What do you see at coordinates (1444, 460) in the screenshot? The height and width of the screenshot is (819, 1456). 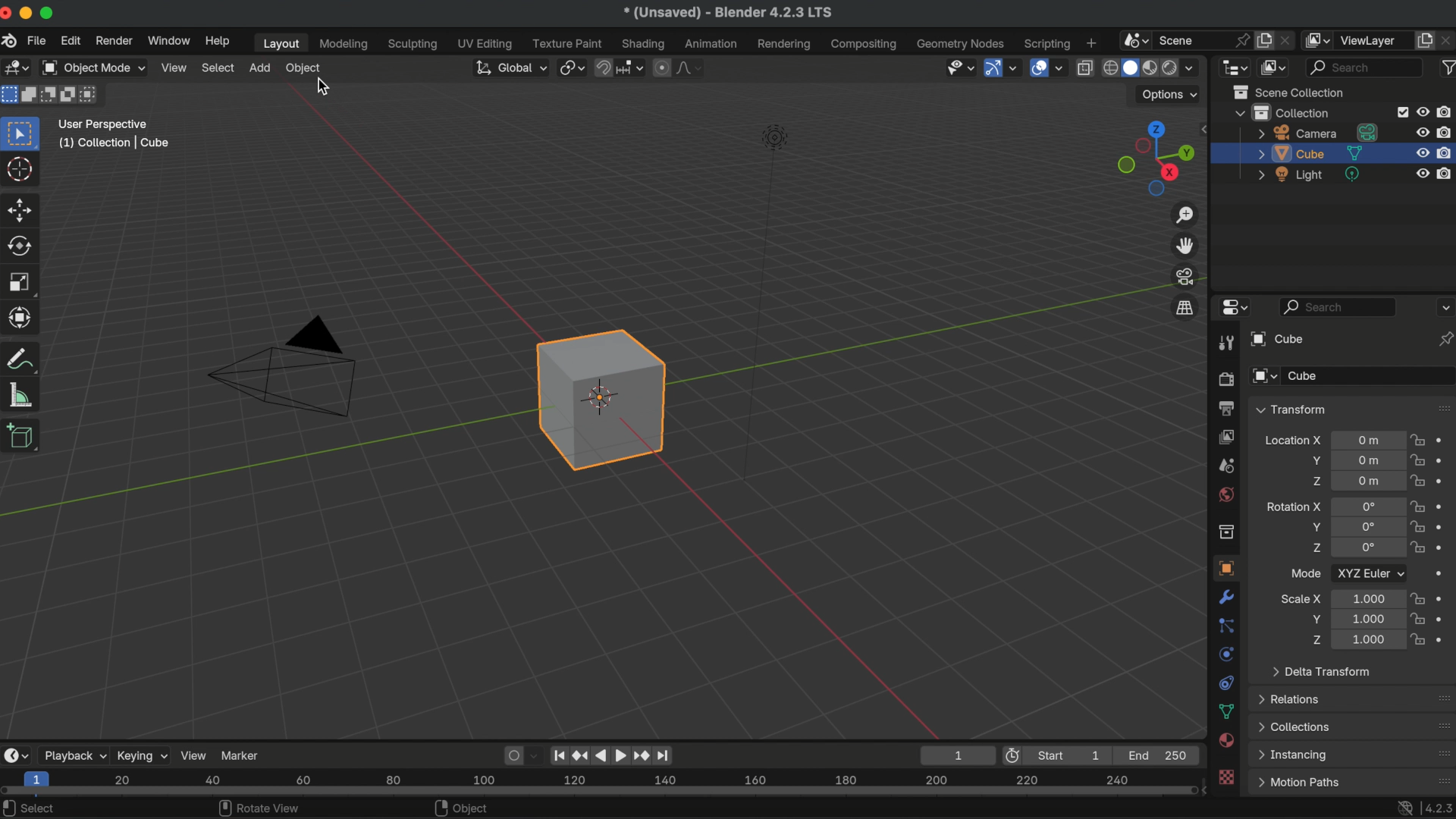 I see `animate property` at bounding box center [1444, 460].